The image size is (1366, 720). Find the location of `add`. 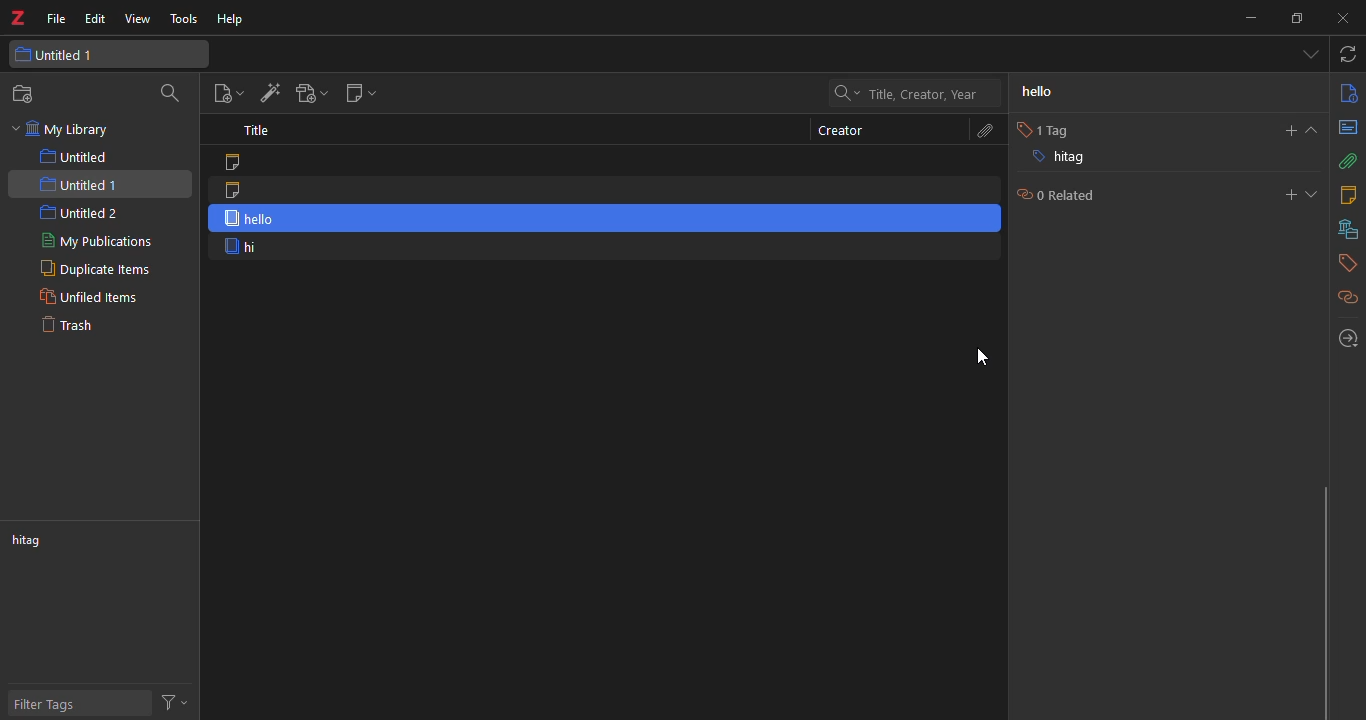

add is located at coordinates (1290, 197).